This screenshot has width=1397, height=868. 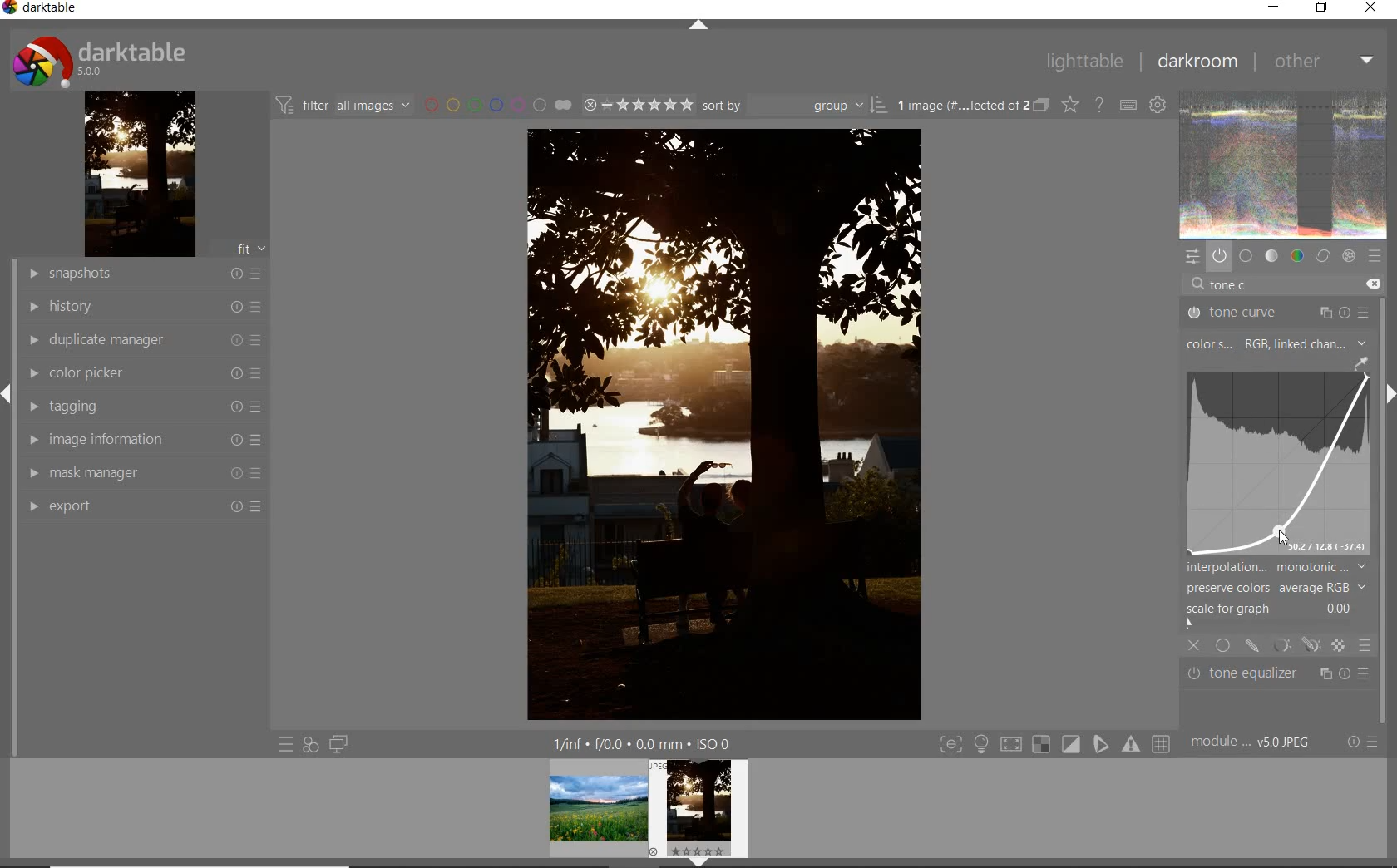 I want to click on mask manager, so click(x=143, y=476).